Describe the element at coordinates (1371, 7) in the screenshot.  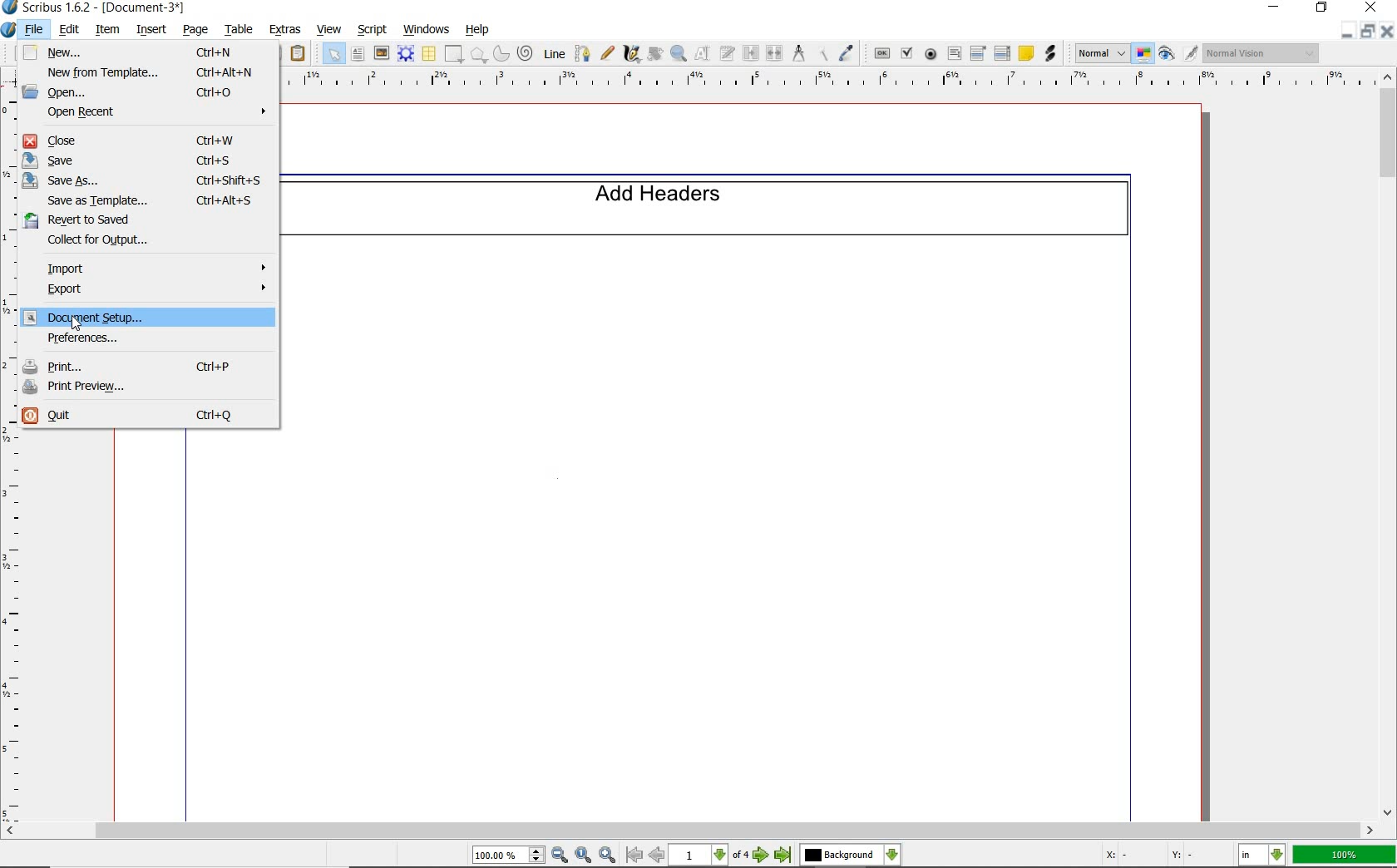
I see `close` at that location.